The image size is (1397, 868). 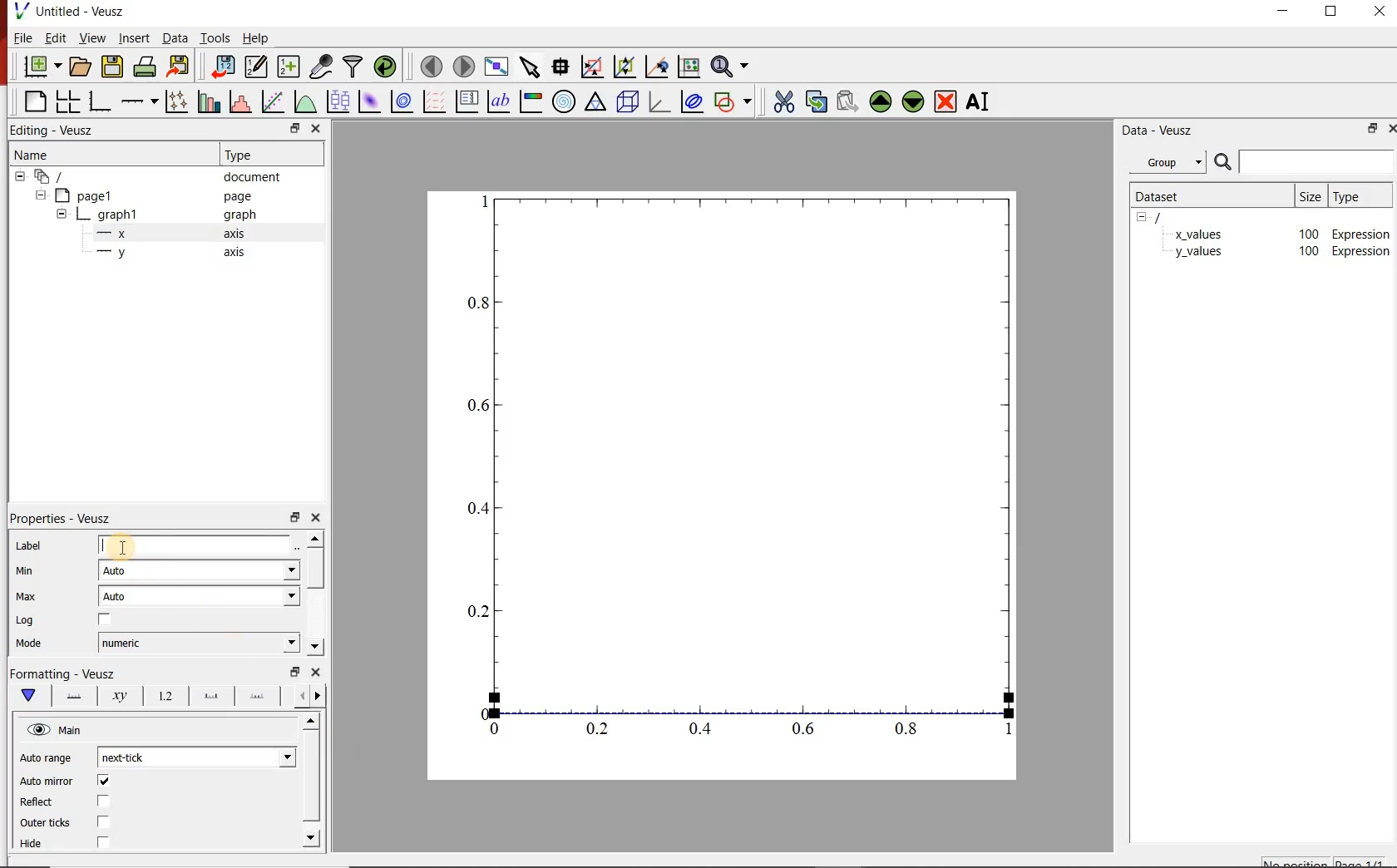 I want to click on previous options, so click(x=321, y=697).